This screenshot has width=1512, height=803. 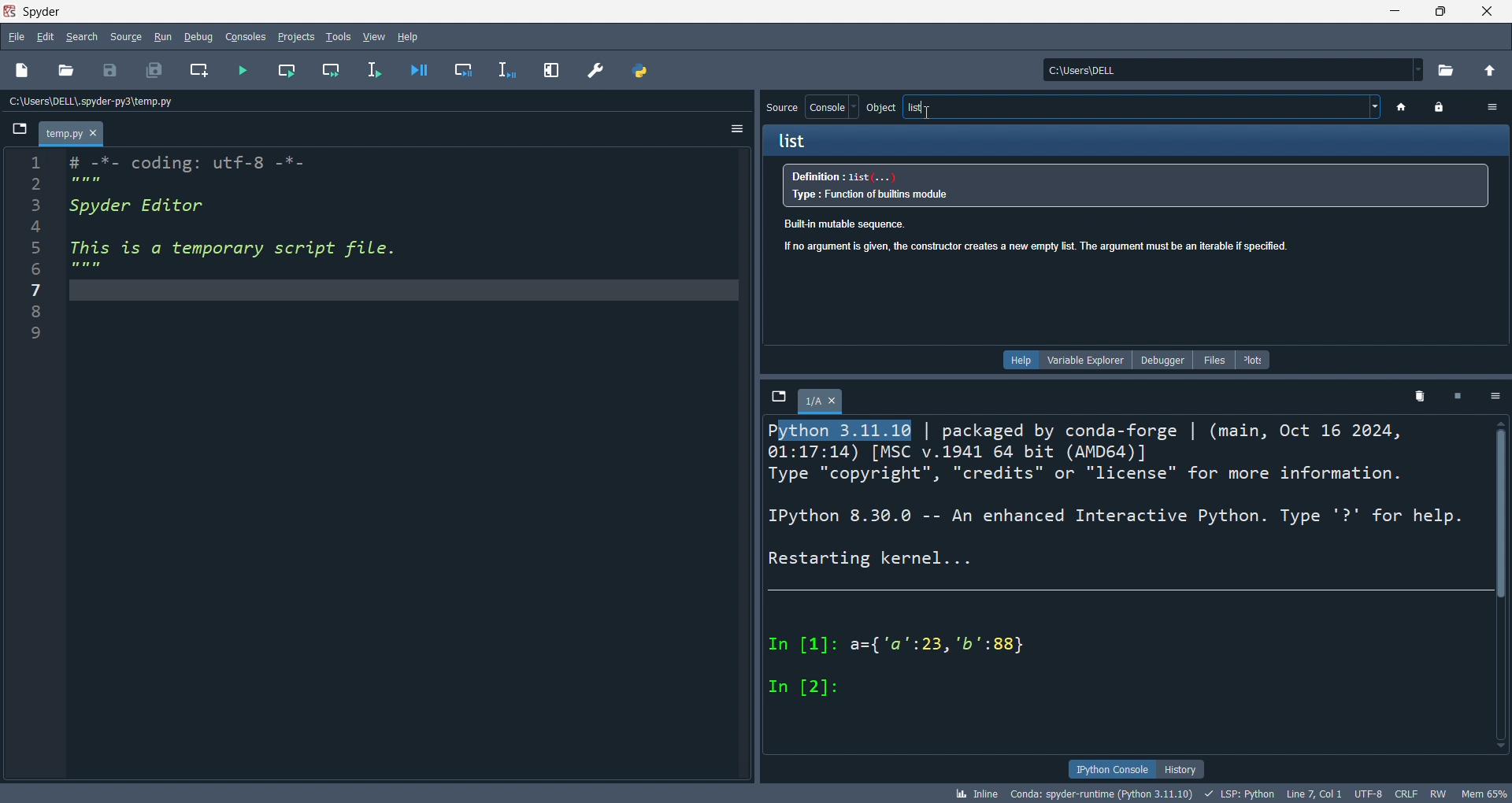 I want to click on home, so click(x=1402, y=108).